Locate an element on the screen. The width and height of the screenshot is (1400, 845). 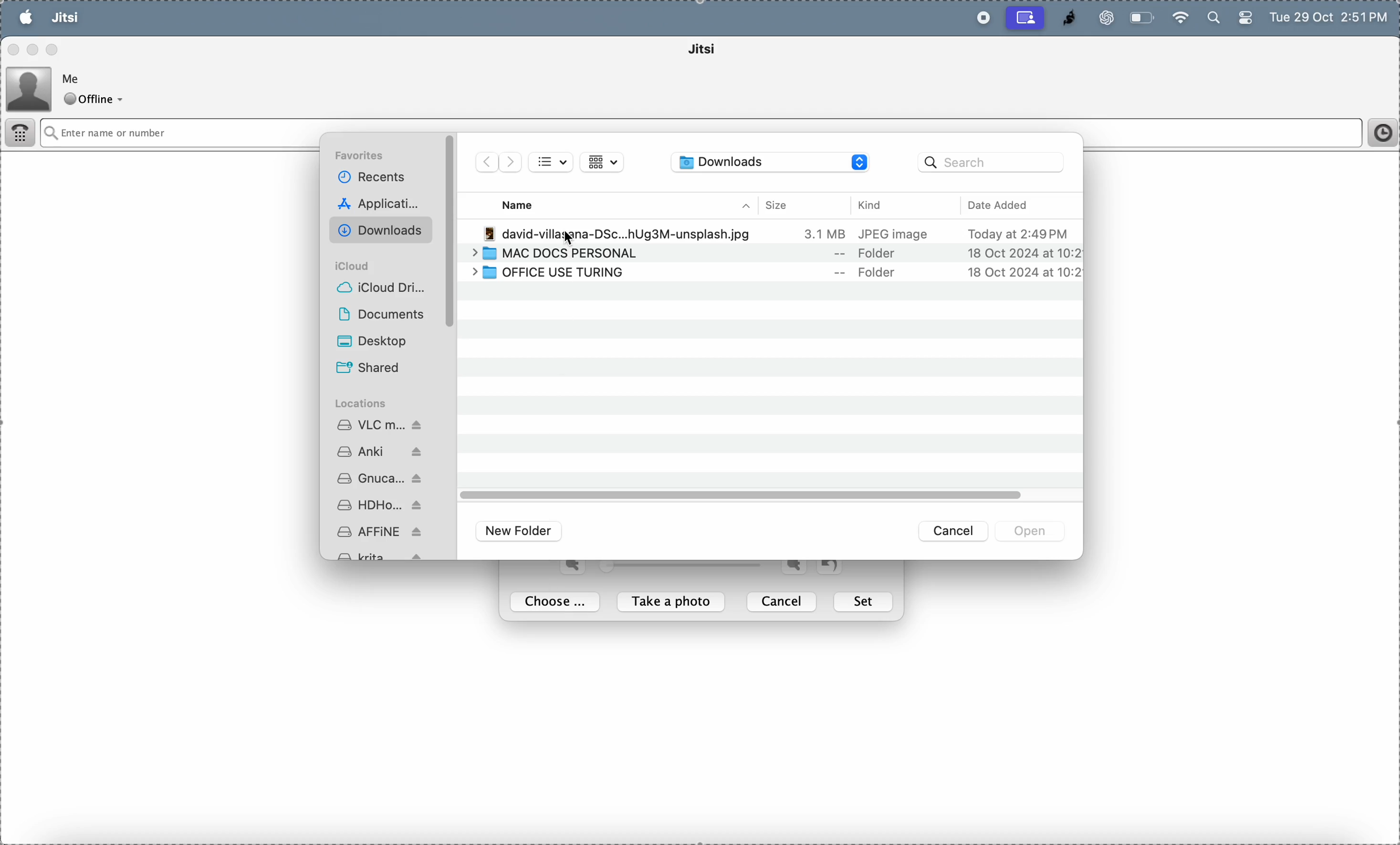
> 7 MAC DOCS PERSONAL -- Folder 18 Oct 2024 at 10:2] is located at coordinates (771, 254).